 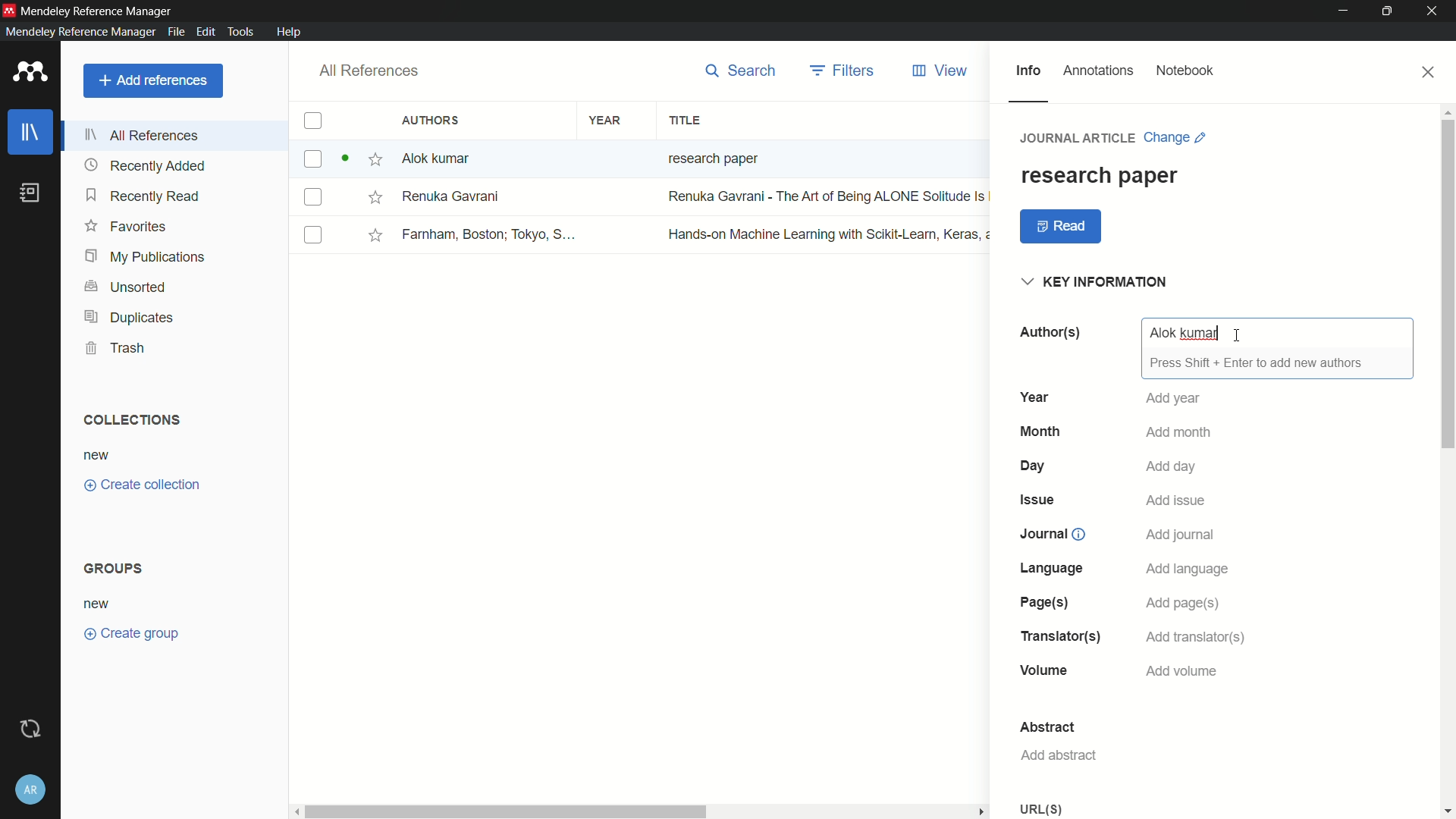 What do you see at coordinates (1062, 227) in the screenshot?
I see `read` at bounding box center [1062, 227].